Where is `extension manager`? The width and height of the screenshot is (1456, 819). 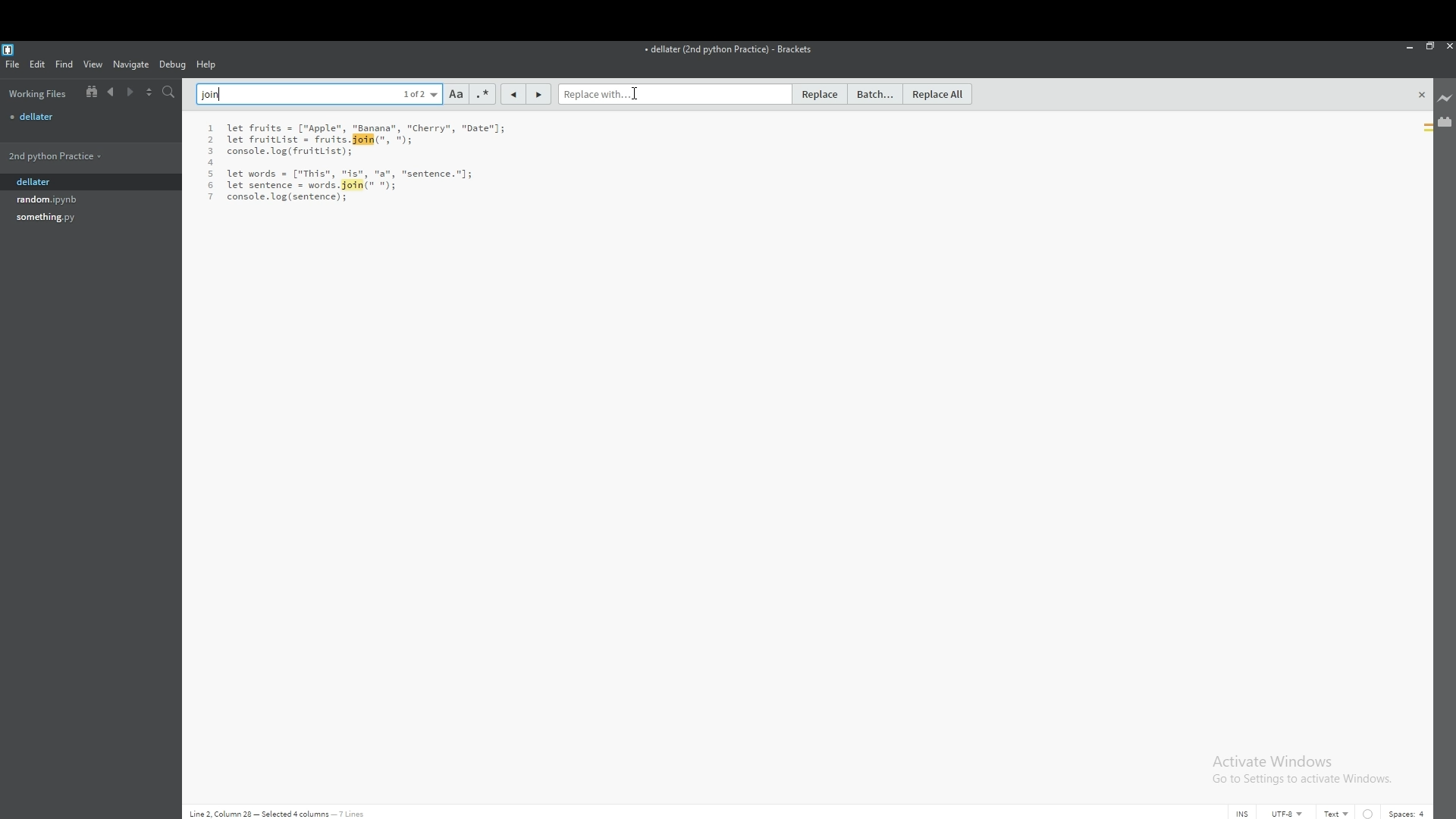
extension manager is located at coordinates (1444, 121).